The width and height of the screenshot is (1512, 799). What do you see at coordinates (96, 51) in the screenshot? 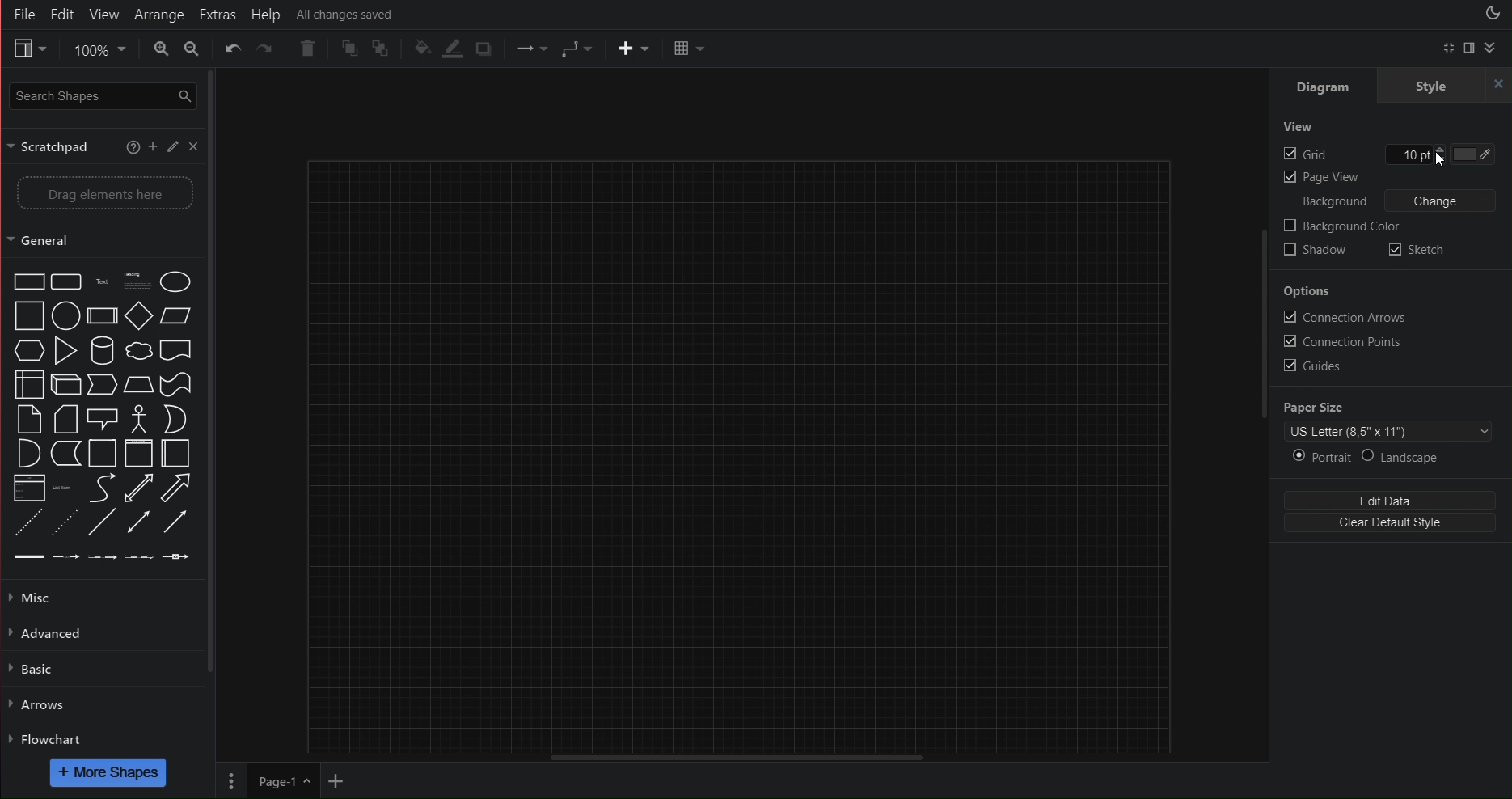
I see `Zoom` at bounding box center [96, 51].